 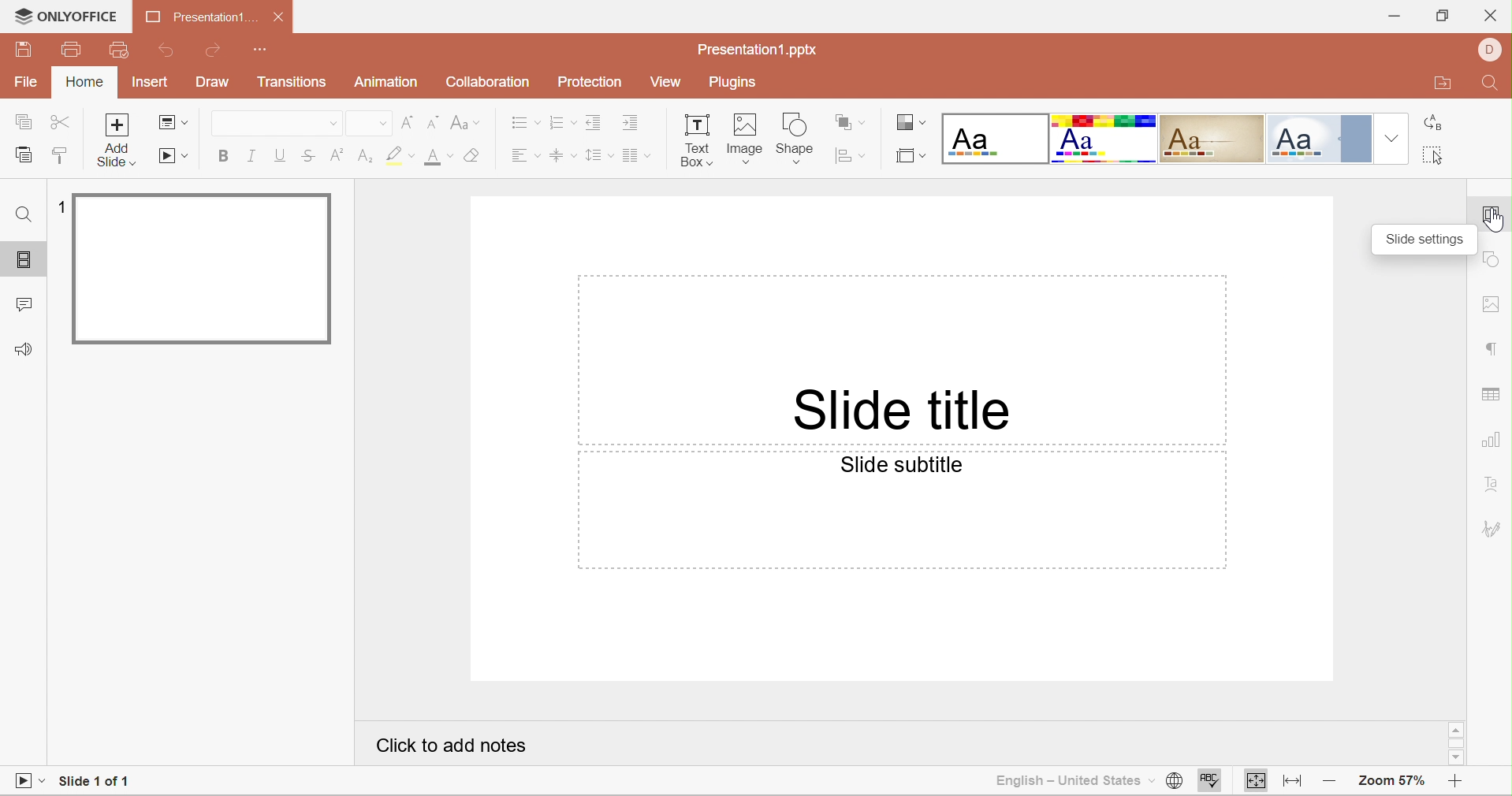 I want to click on Copy, so click(x=20, y=121).